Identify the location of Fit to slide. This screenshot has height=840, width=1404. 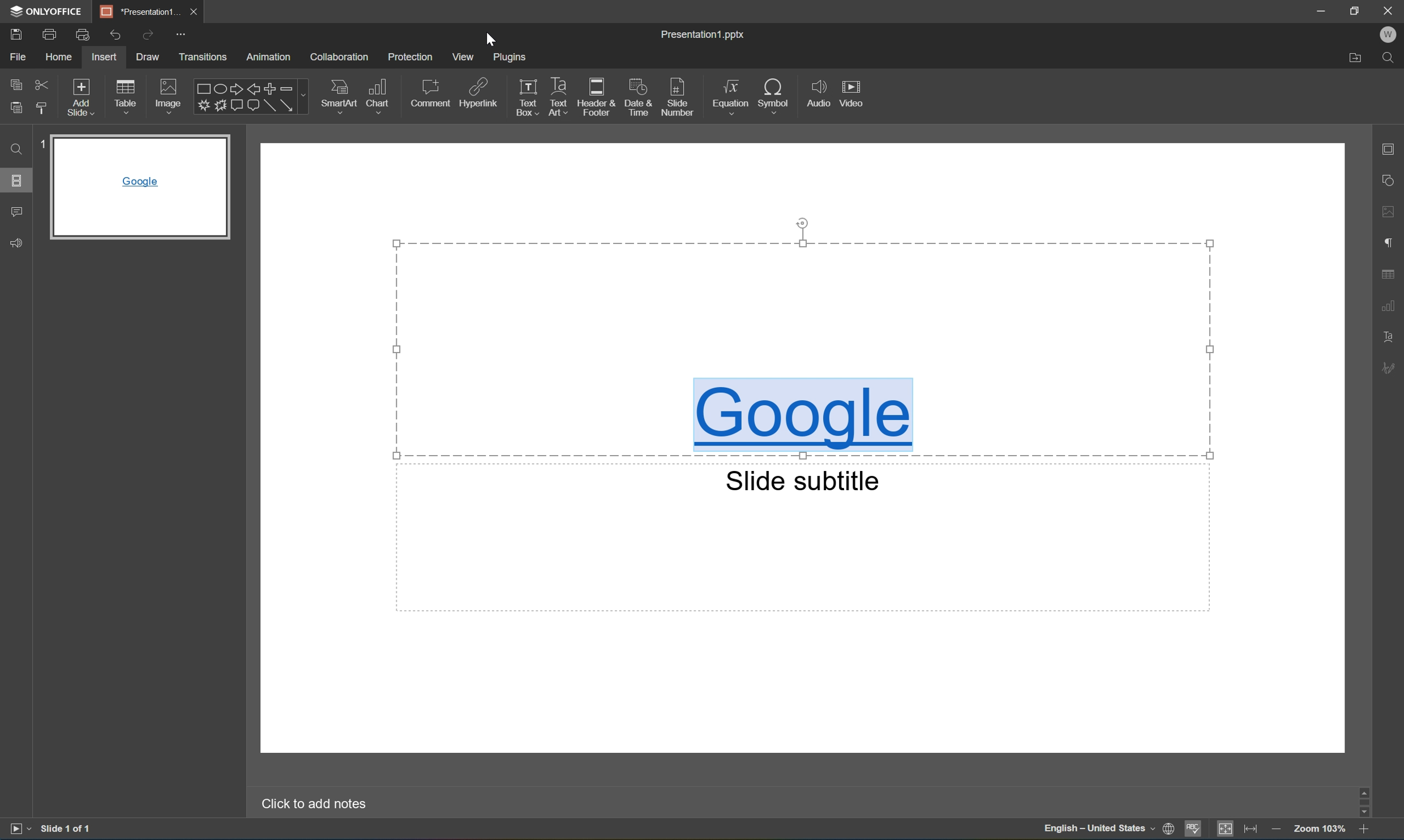
(1228, 829).